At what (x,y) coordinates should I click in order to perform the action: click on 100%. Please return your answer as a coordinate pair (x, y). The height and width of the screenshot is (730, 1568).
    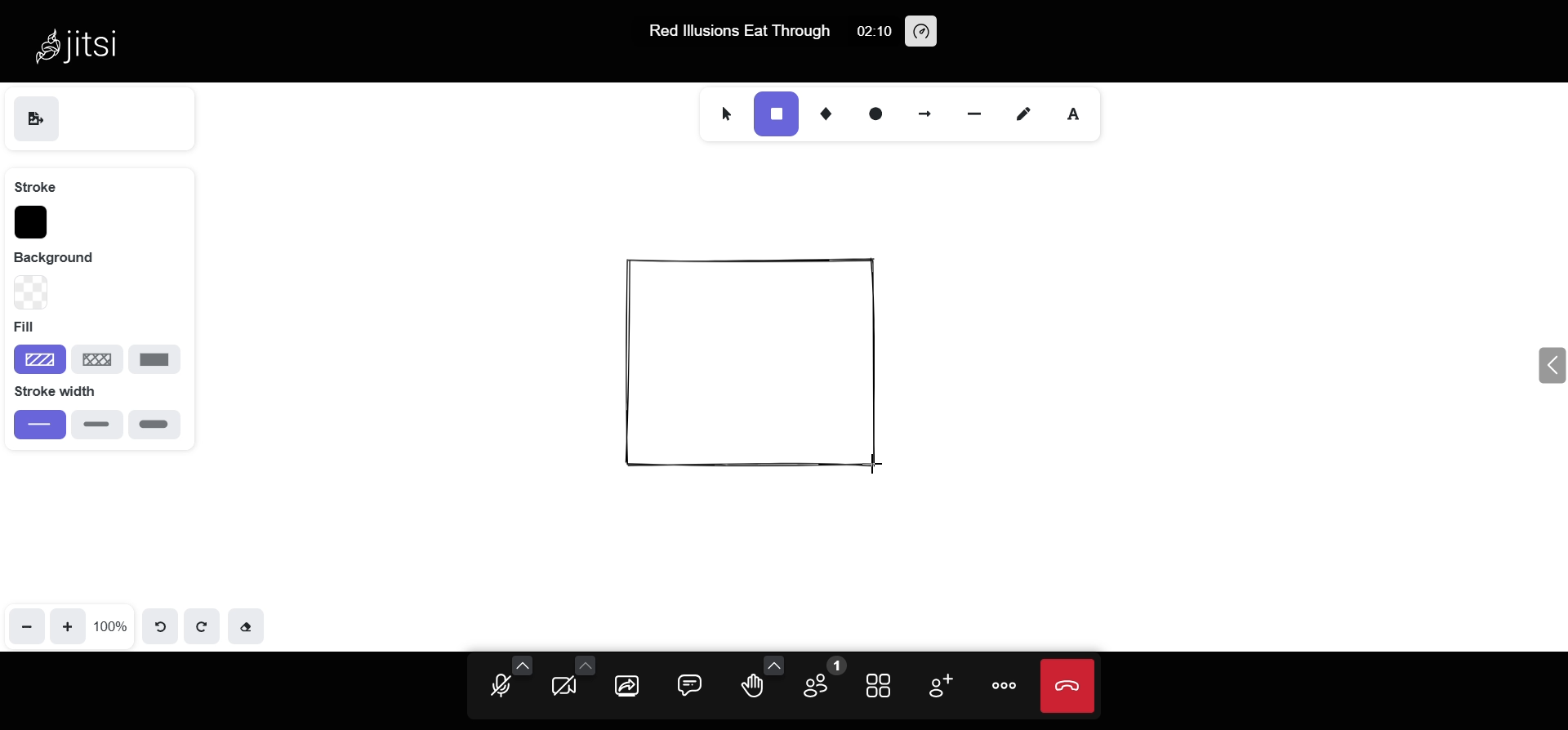
    Looking at the image, I should click on (112, 624).